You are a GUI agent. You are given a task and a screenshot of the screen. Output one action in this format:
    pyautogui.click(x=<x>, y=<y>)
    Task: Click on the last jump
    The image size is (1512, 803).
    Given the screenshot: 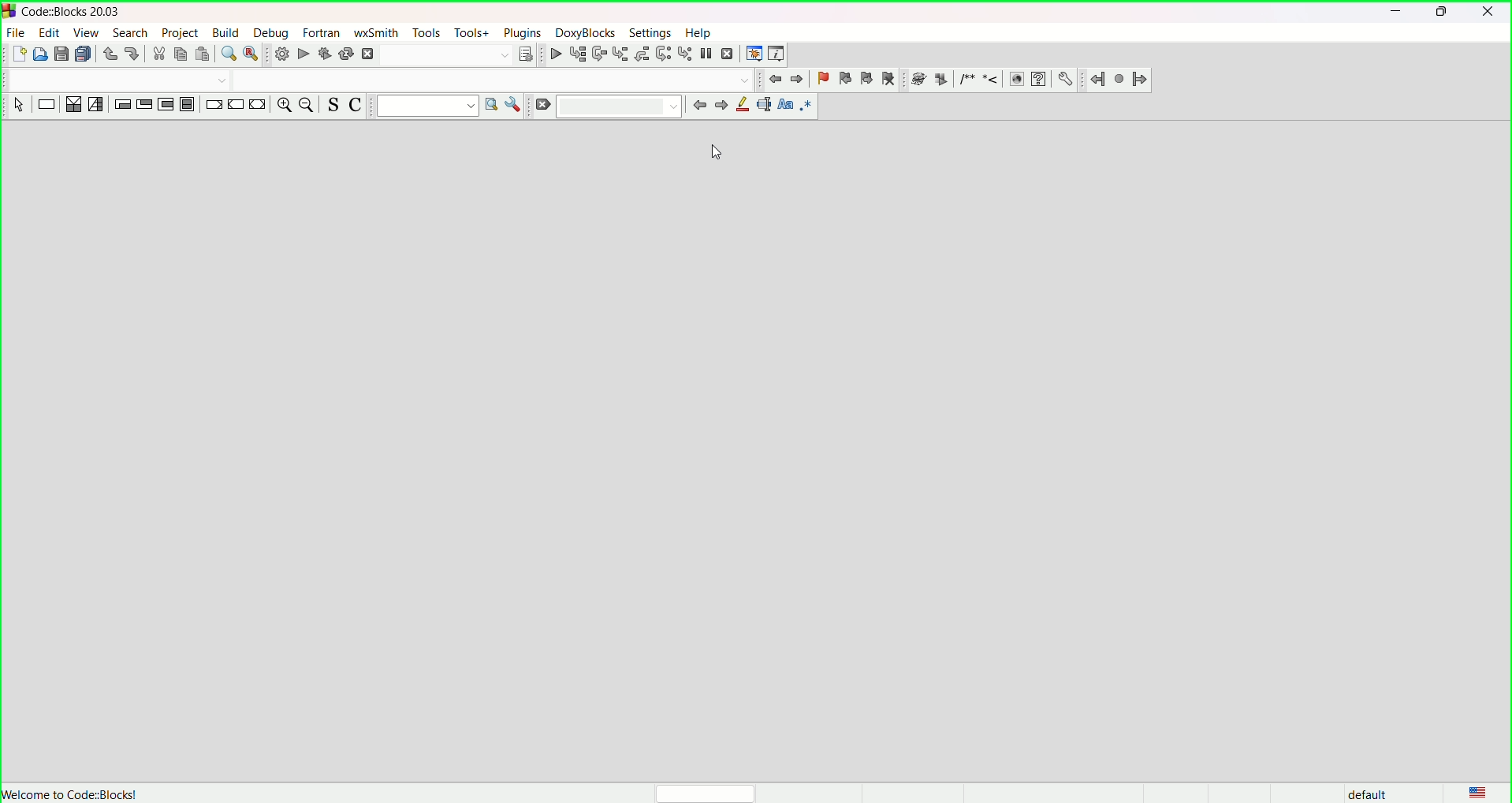 What is the action you would take?
    pyautogui.click(x=1119, y=80)
    